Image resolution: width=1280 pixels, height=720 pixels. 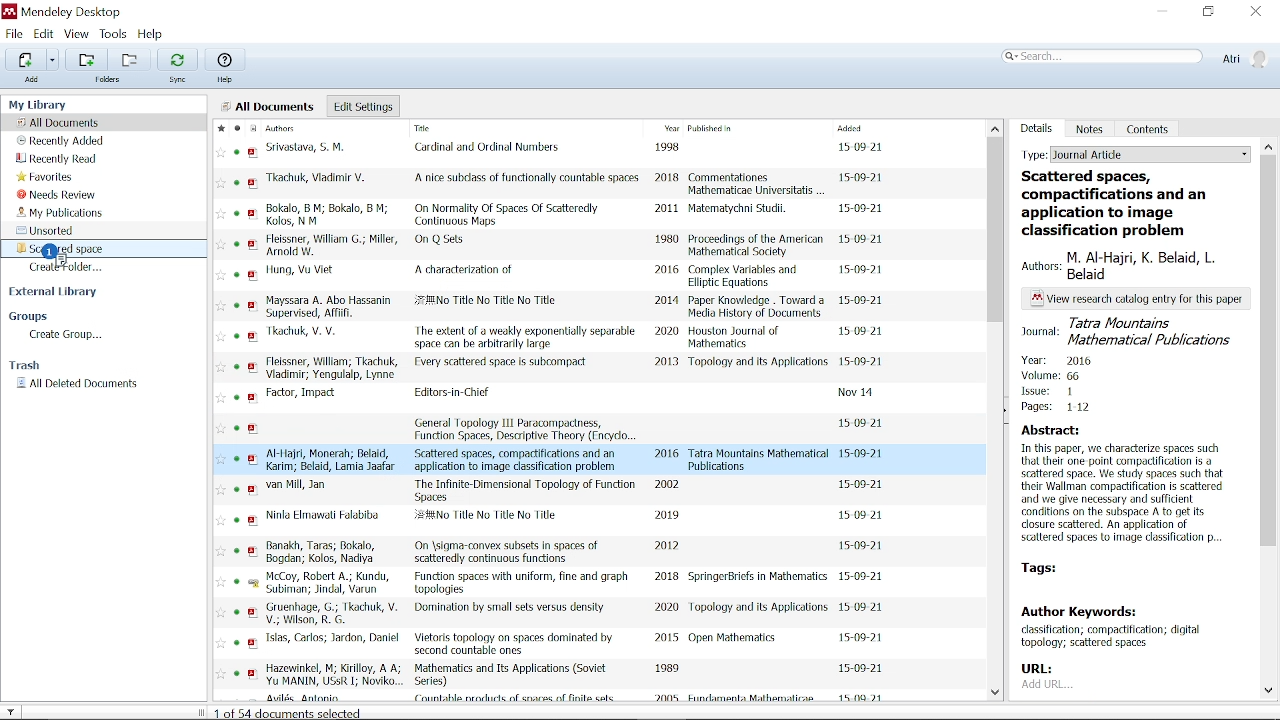 What do you see at coordinates (59, 212) in the screenshot?
I see `My publications` at bounding box center [59, 212].